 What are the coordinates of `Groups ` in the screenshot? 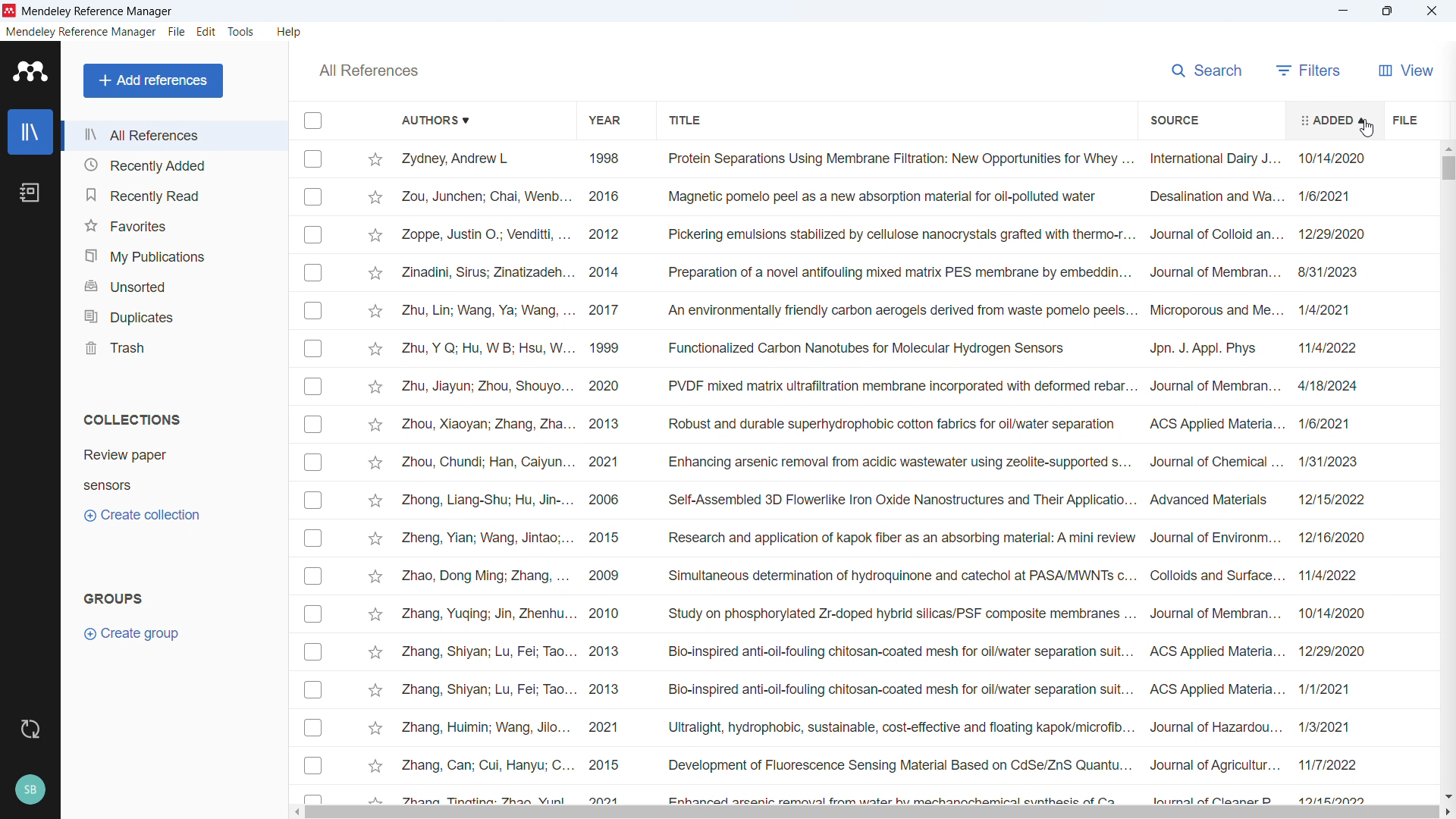 It's located at (111, 598).